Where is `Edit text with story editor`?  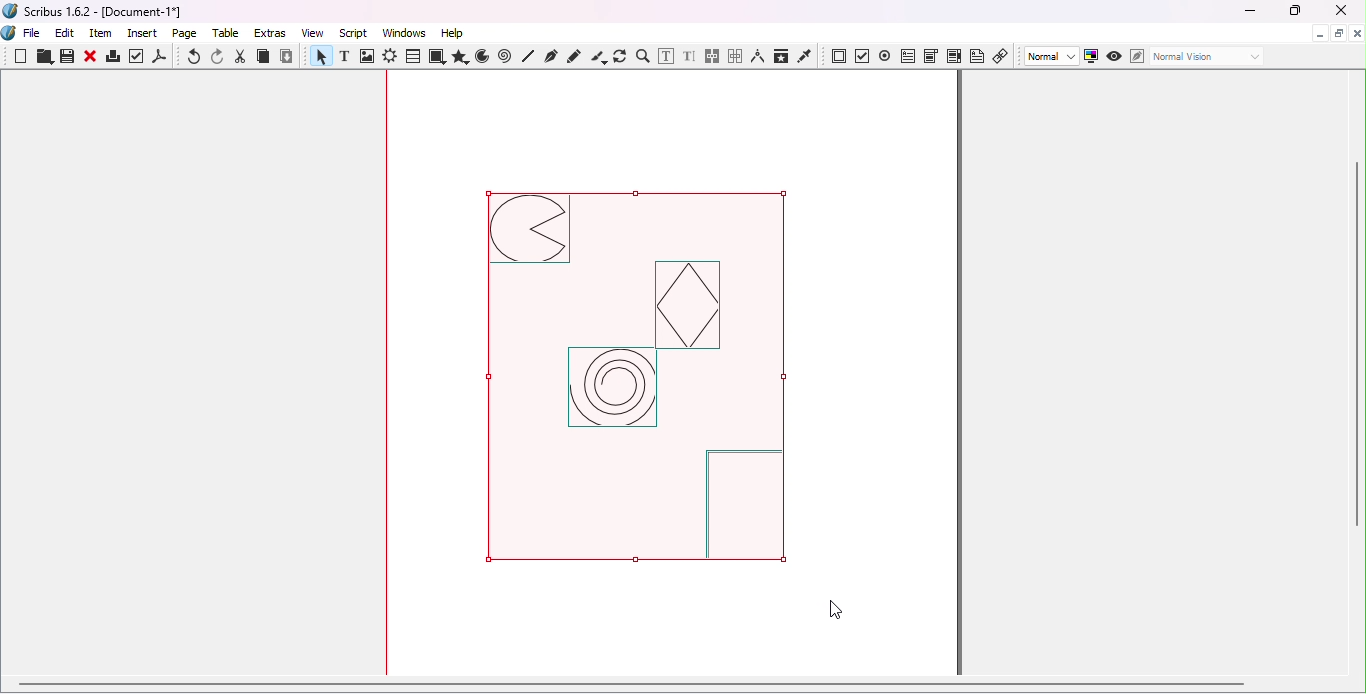
Edit text with story editor is located at coordinates (689, 57).